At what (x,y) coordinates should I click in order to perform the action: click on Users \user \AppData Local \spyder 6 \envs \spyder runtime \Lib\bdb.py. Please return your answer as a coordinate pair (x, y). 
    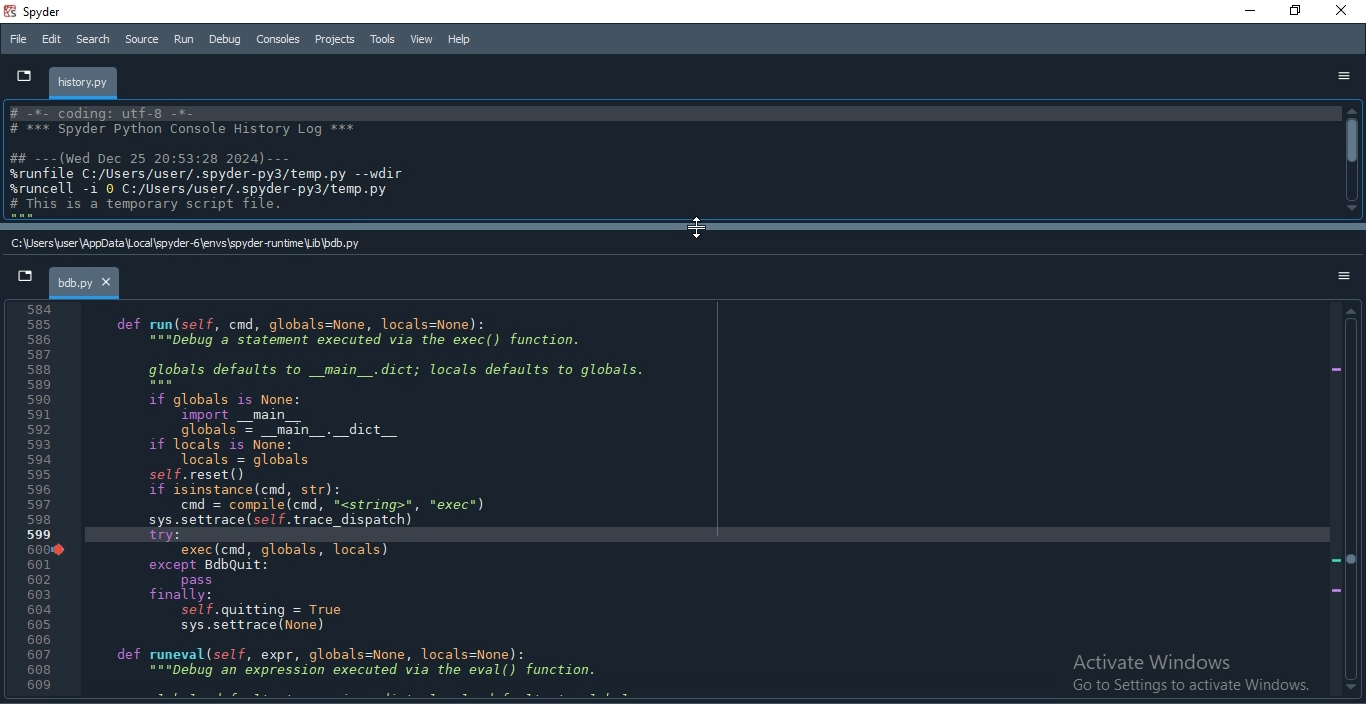
    Looking at the image, I should click on (190, 242).